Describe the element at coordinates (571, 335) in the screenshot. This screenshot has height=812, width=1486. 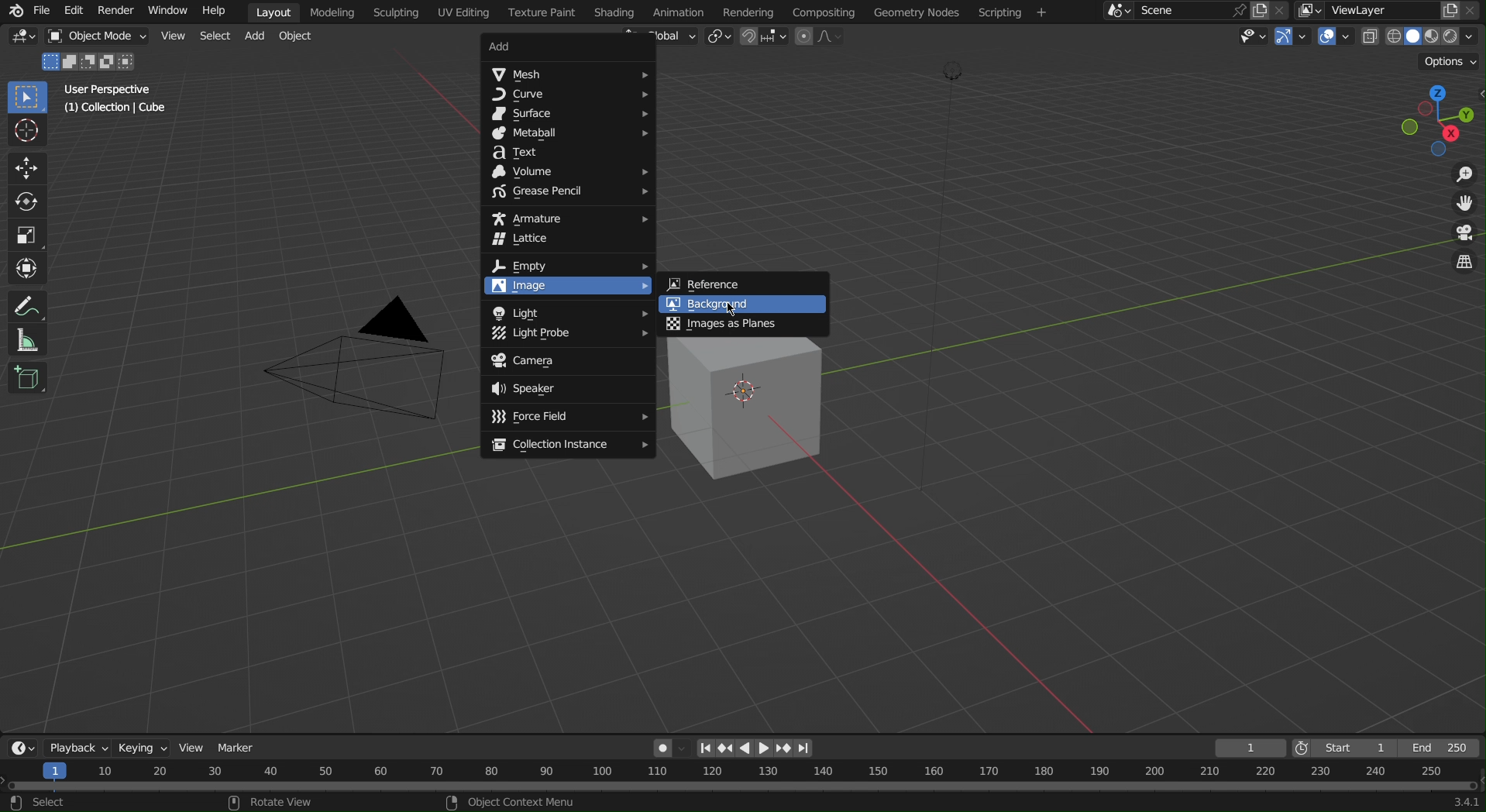
I see `Light` at that location.